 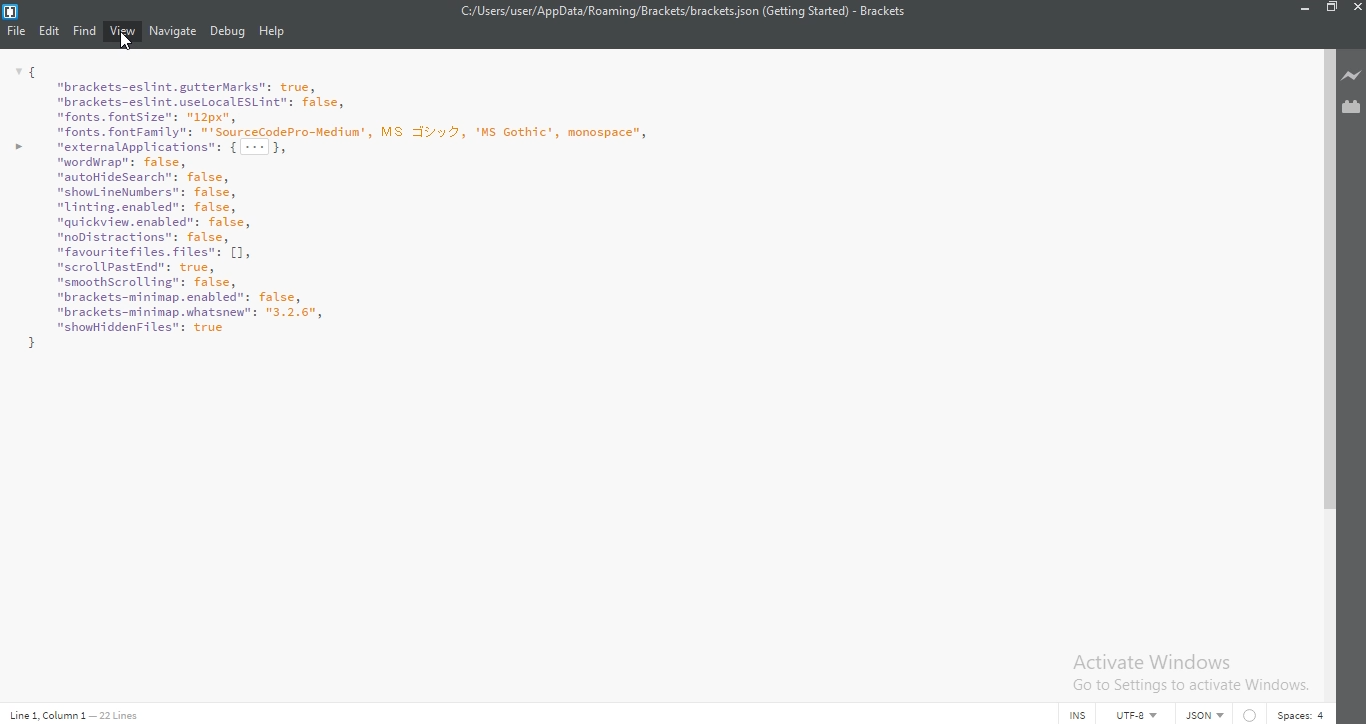 I want to click on C:/Users/user/AppData/Roaming/Brackets/brackets json (Getting Started) - Brackets, so click(x=685, y=12).